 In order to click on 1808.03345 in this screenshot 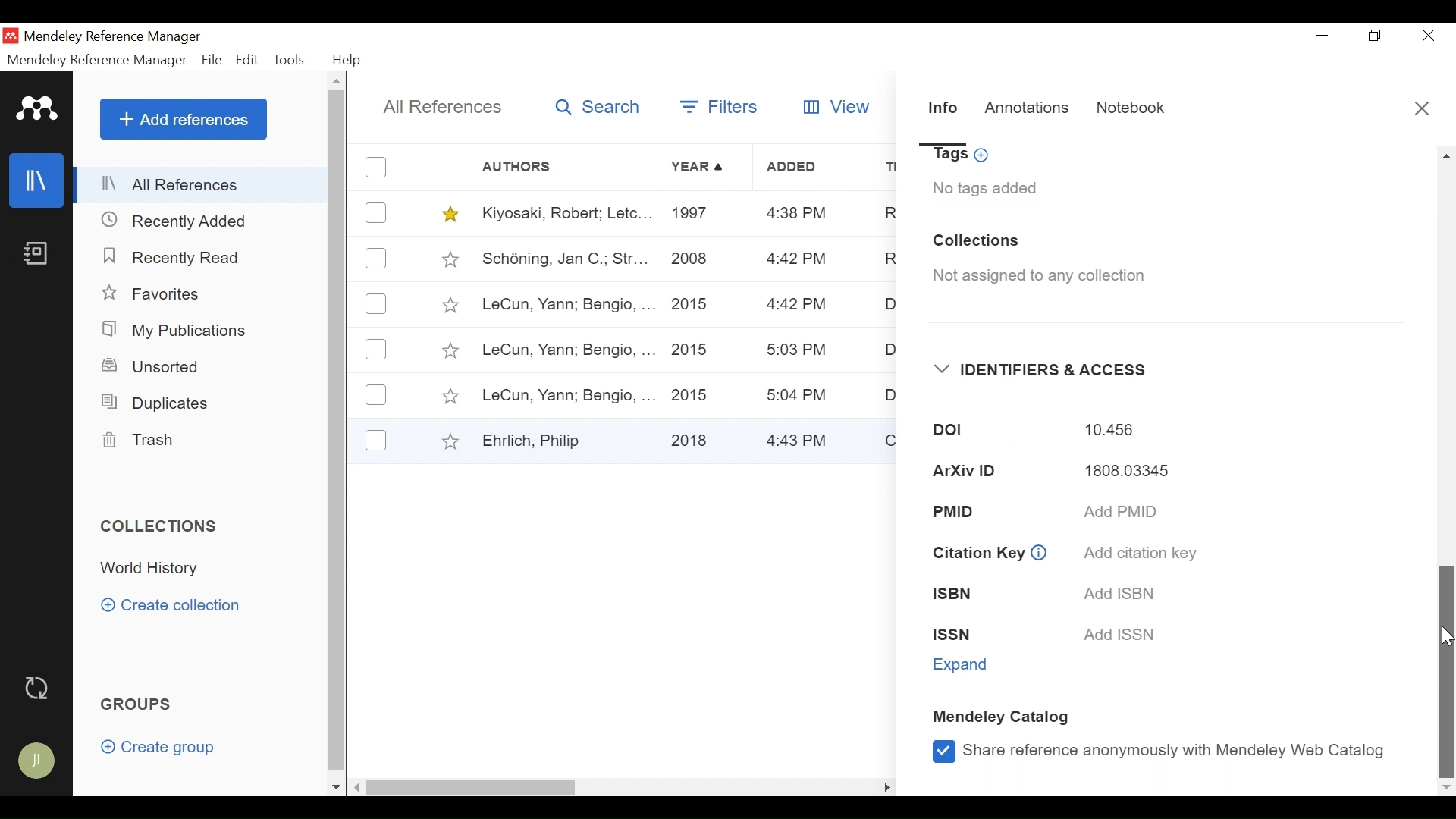, I will do `click(1117, 473)`.